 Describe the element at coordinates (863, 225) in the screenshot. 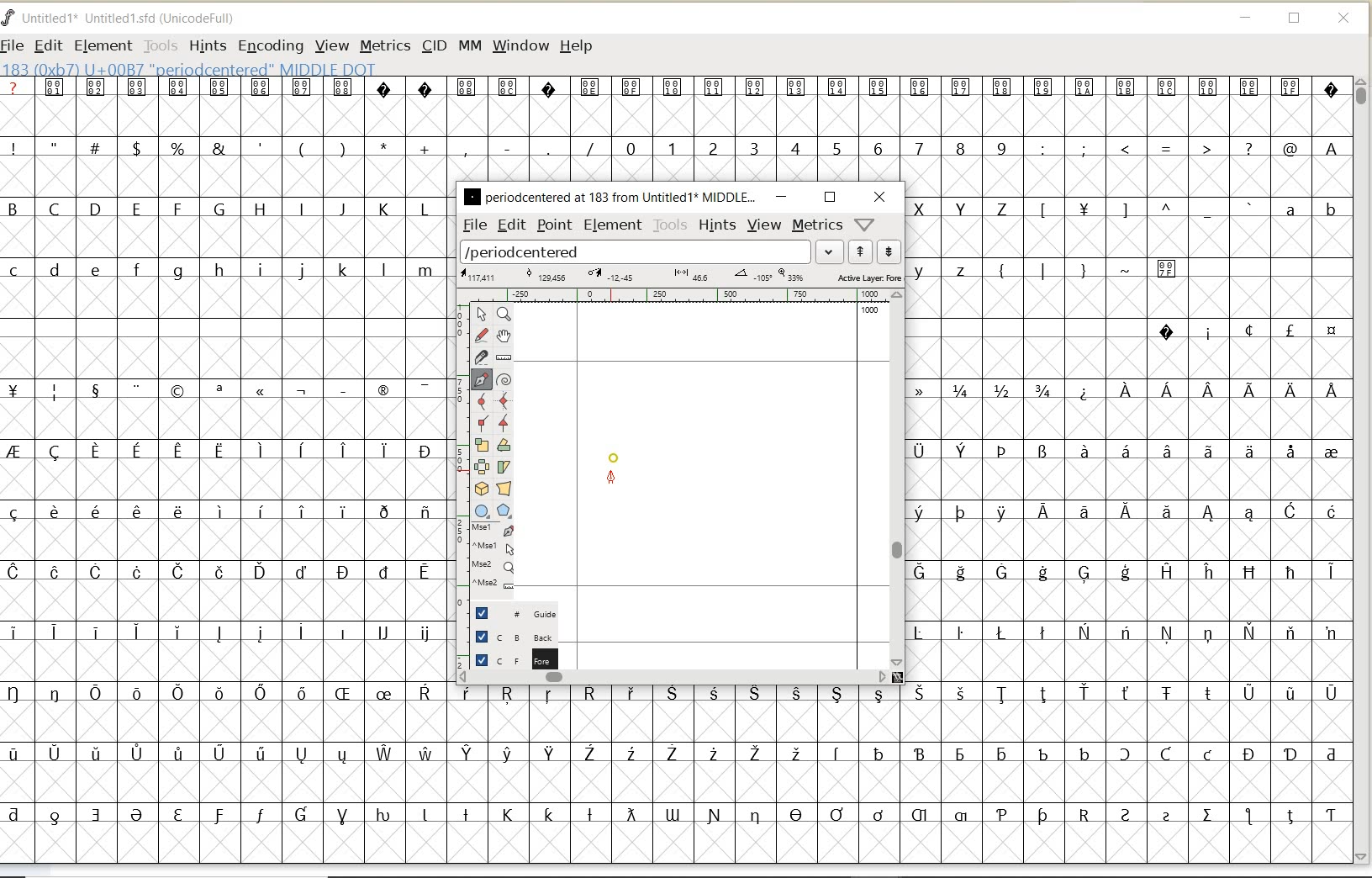

I see `help/window` at that location.